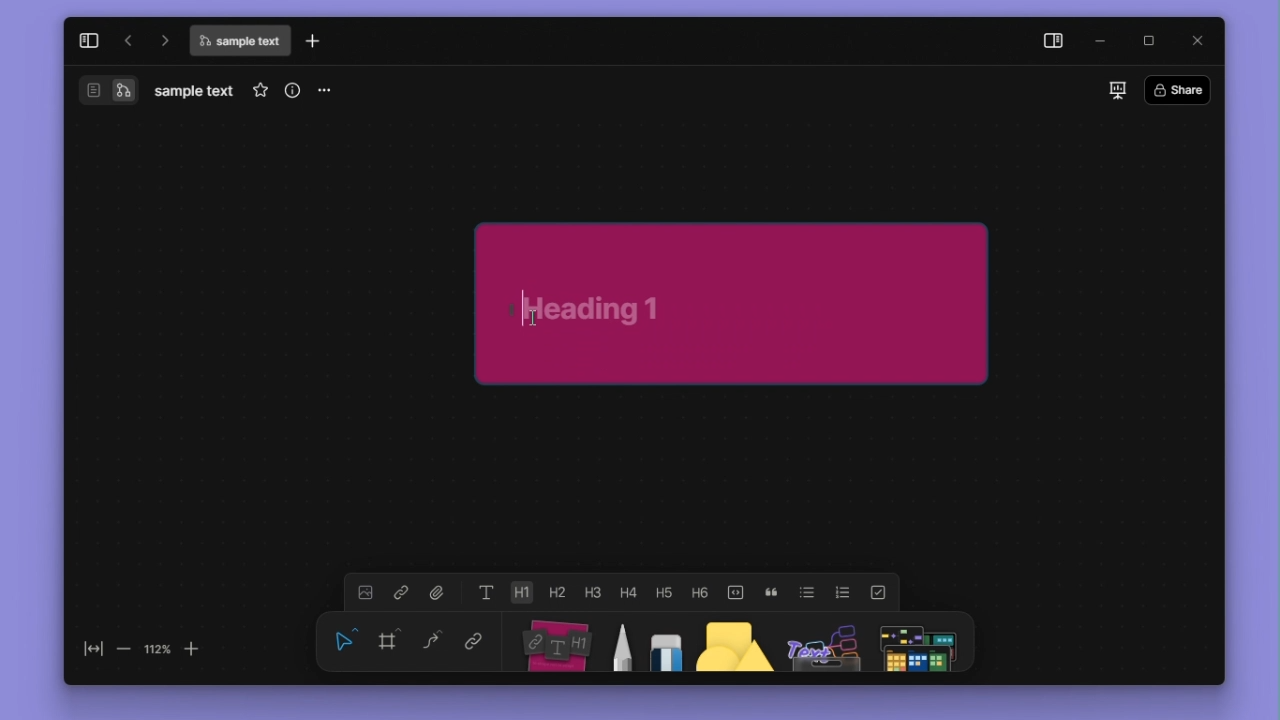  What do you see at coordinates (556, 592) in the screenshot?
I see `Heading 2` at bounding box center [556, 592].